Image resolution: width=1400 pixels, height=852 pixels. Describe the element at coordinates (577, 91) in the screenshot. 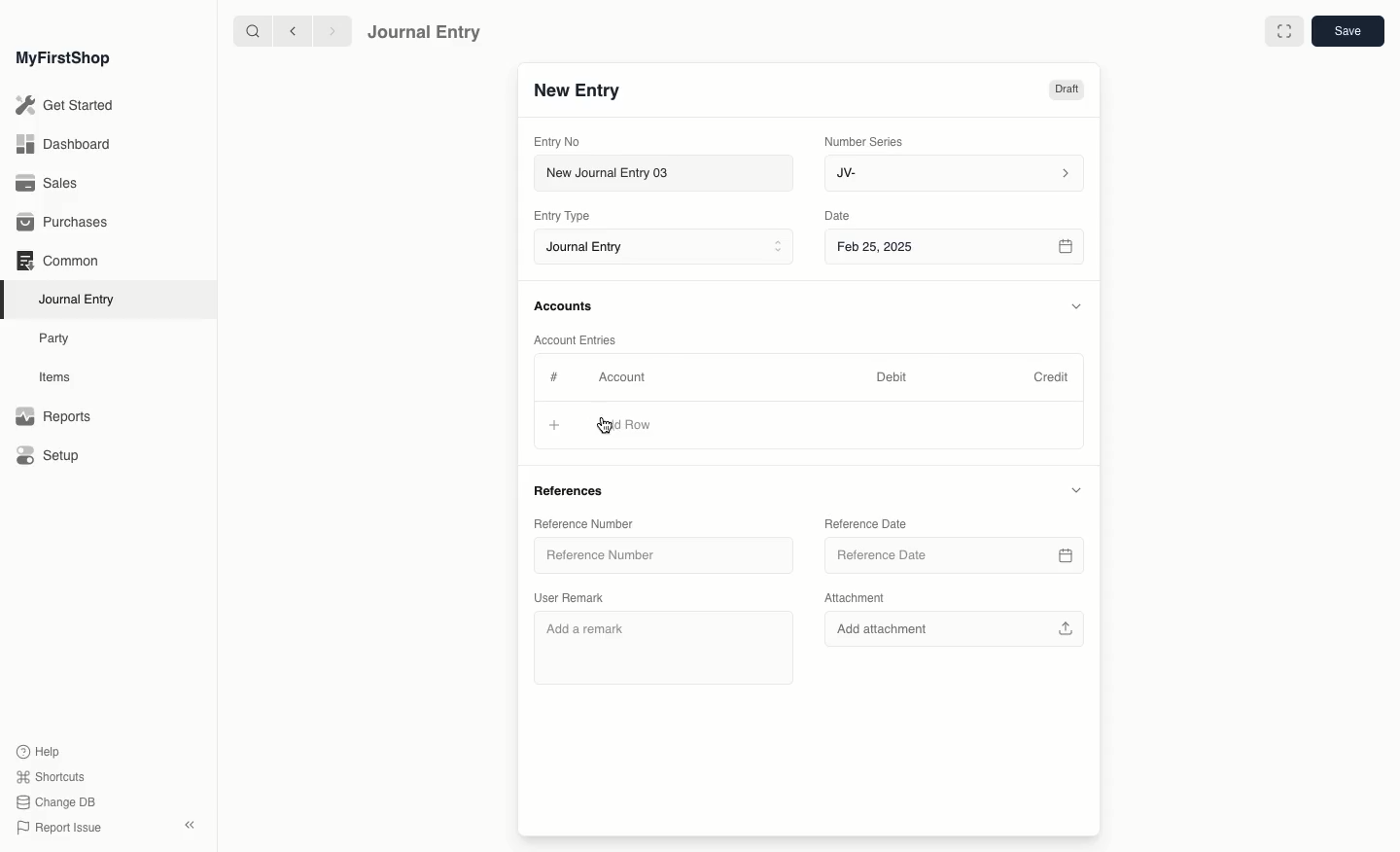

I see `New Entry` at that location.